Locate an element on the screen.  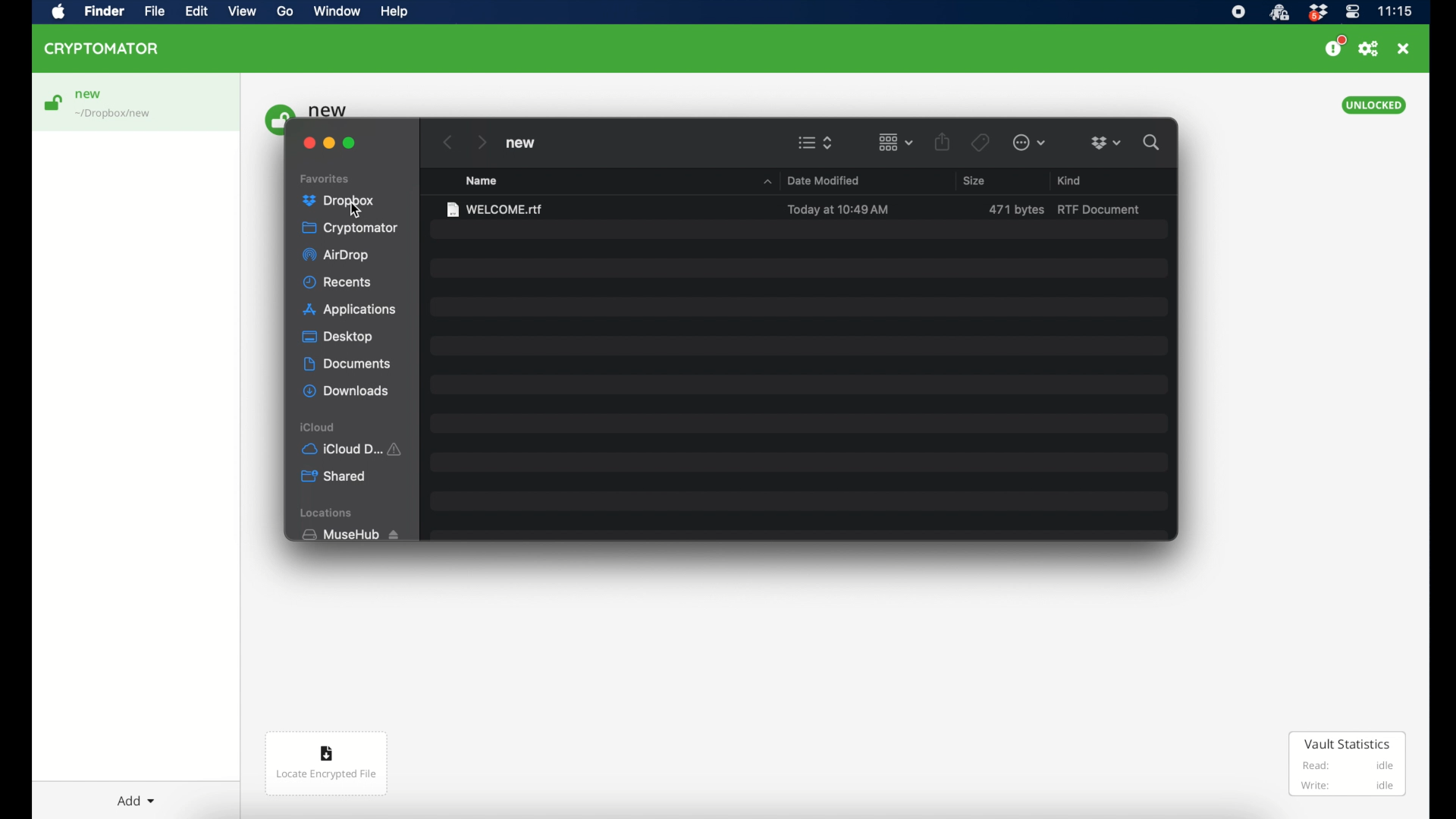
iCloud is located at coordinates (318, 428).